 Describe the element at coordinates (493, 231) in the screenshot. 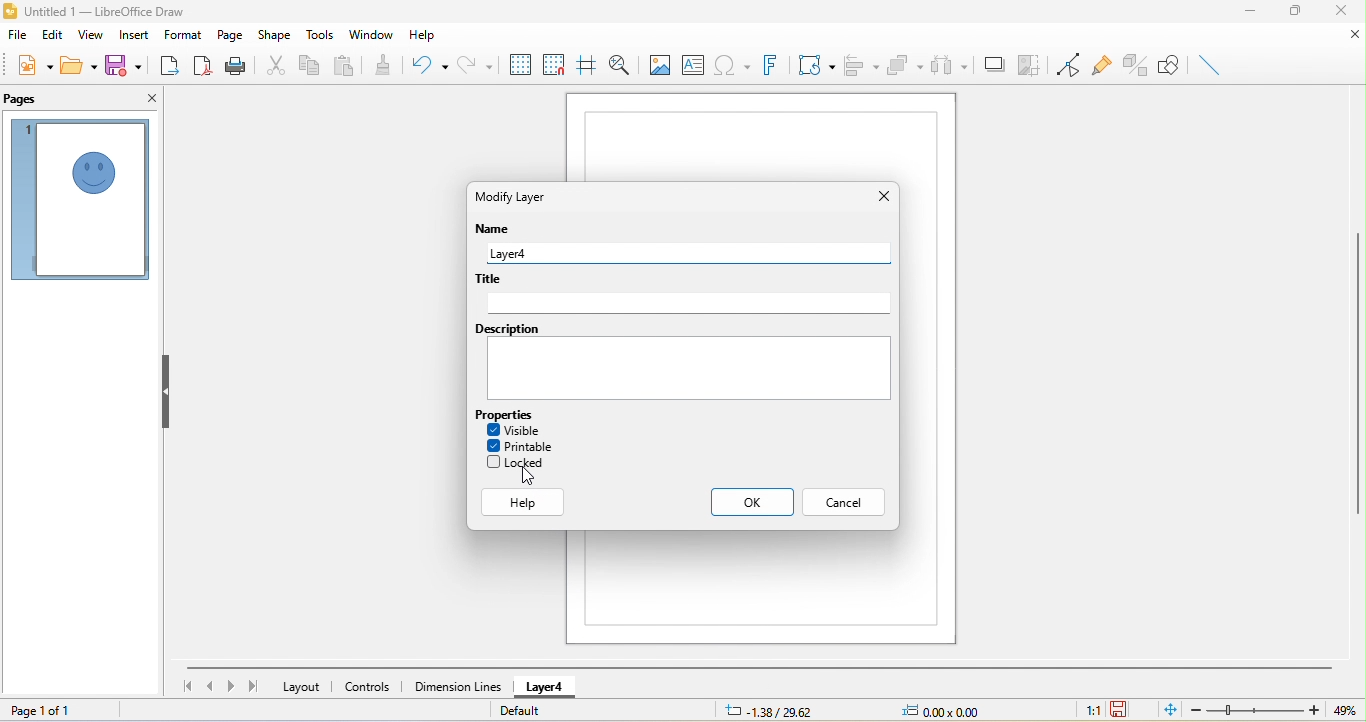

I see `name` at that location.